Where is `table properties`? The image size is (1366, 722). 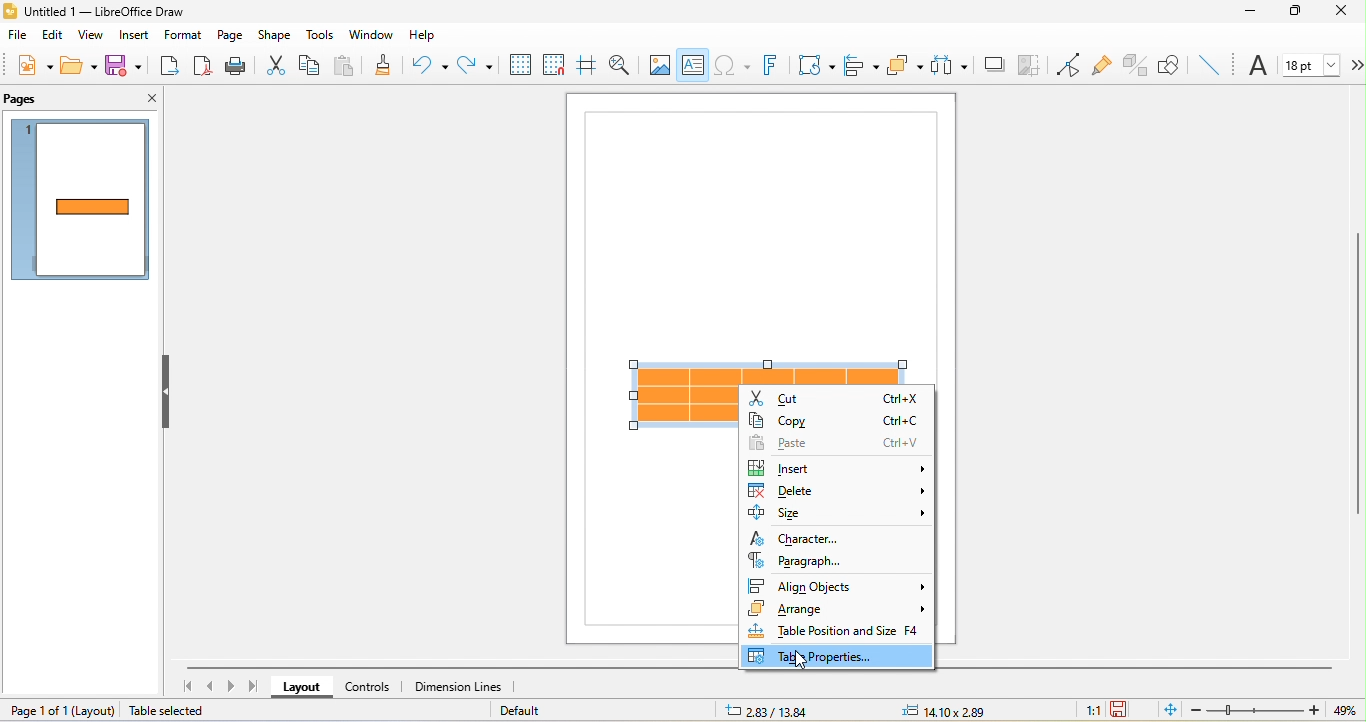 table properties is located at coordinates (838, 658).